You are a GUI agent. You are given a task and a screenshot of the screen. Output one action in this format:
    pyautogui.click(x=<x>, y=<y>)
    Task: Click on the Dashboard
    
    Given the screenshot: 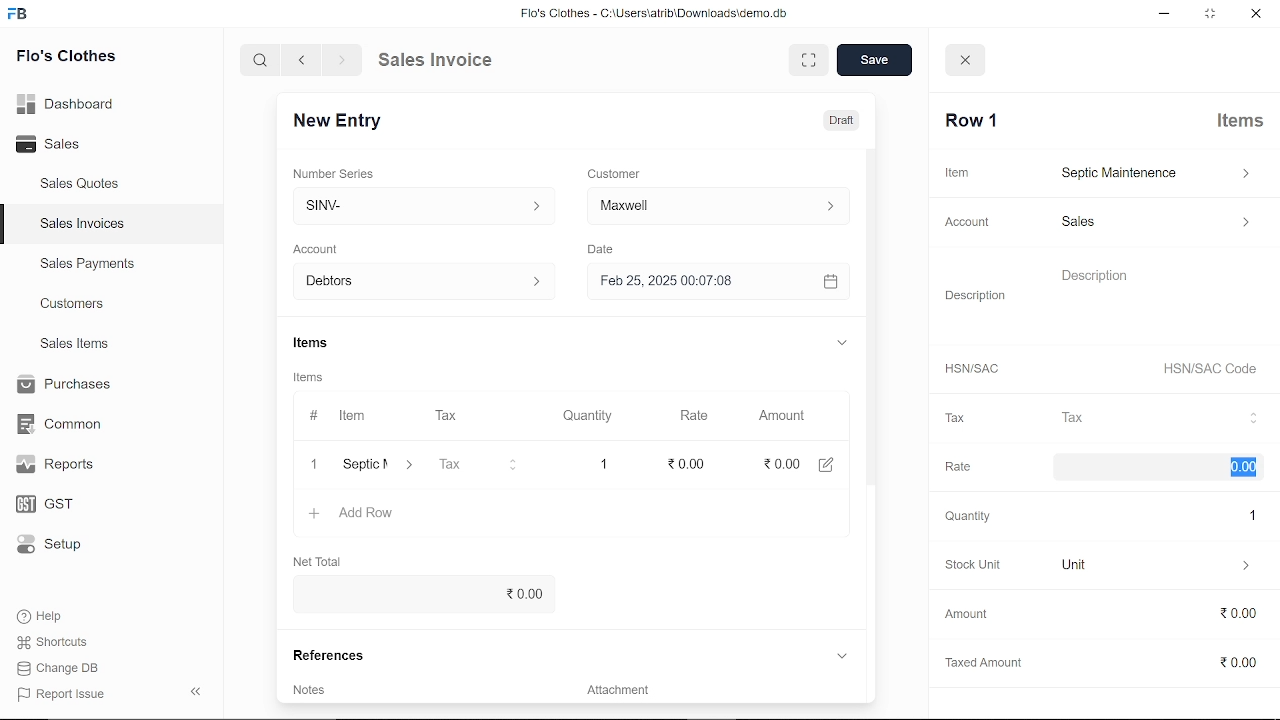 What is the action you would take?
    pyautogui.click(x=67, y=107)
    